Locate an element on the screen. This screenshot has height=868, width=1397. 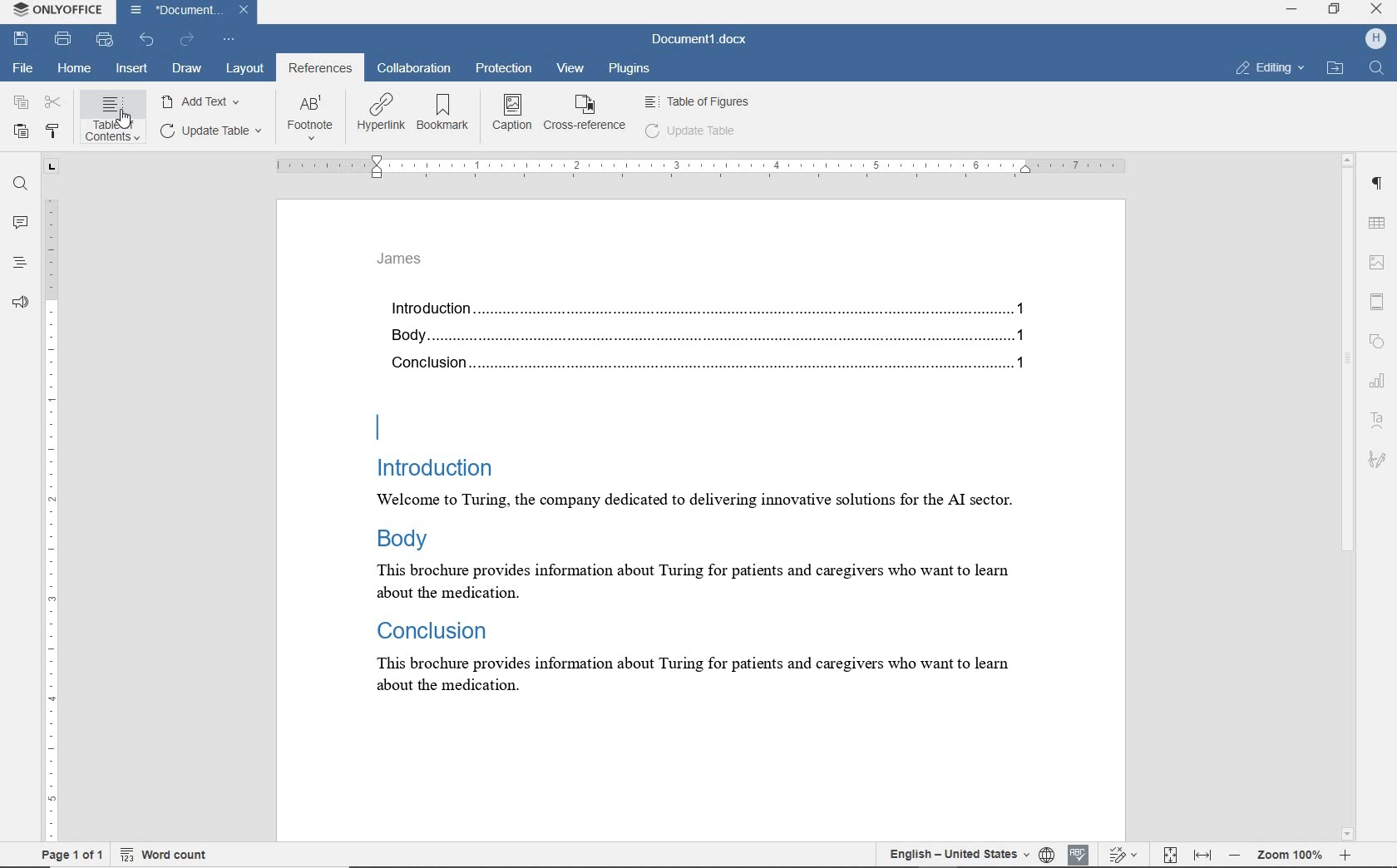
quick print is located at coordinates (106, 40).